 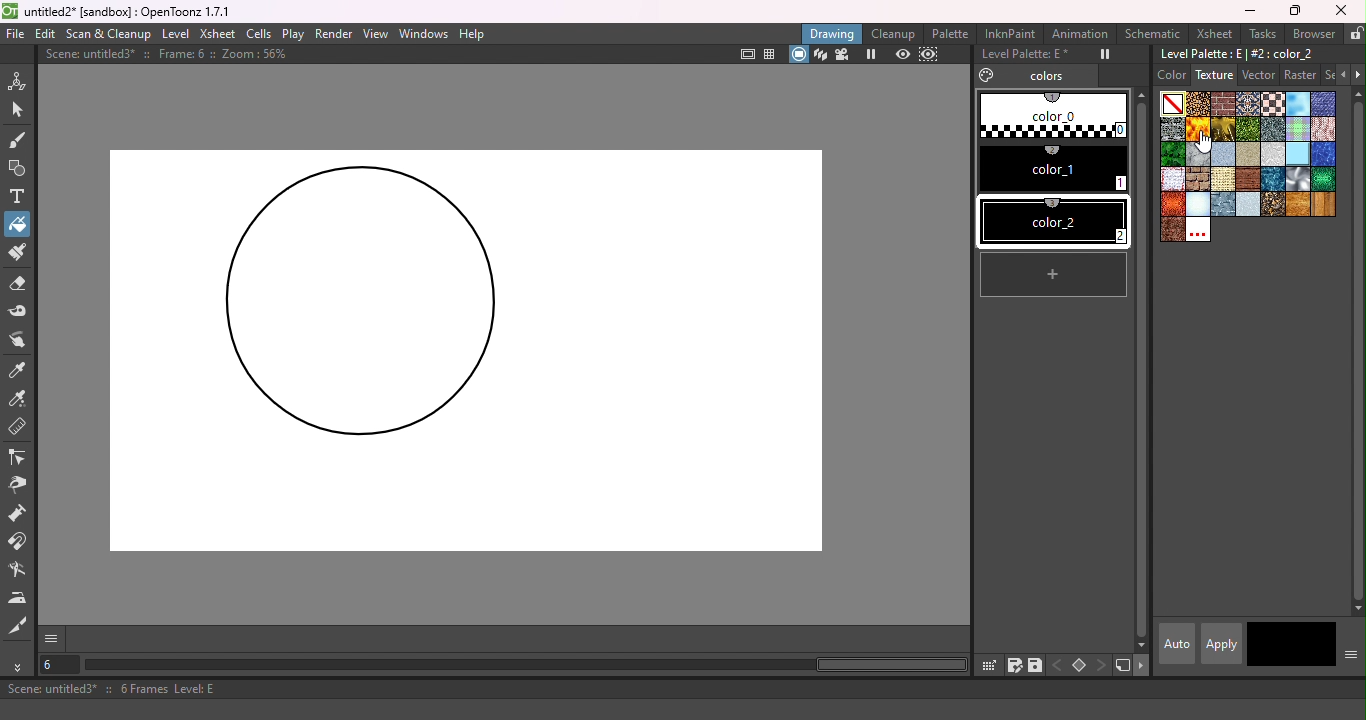 I want to click on Xsheet, so click(x=218, y=34).